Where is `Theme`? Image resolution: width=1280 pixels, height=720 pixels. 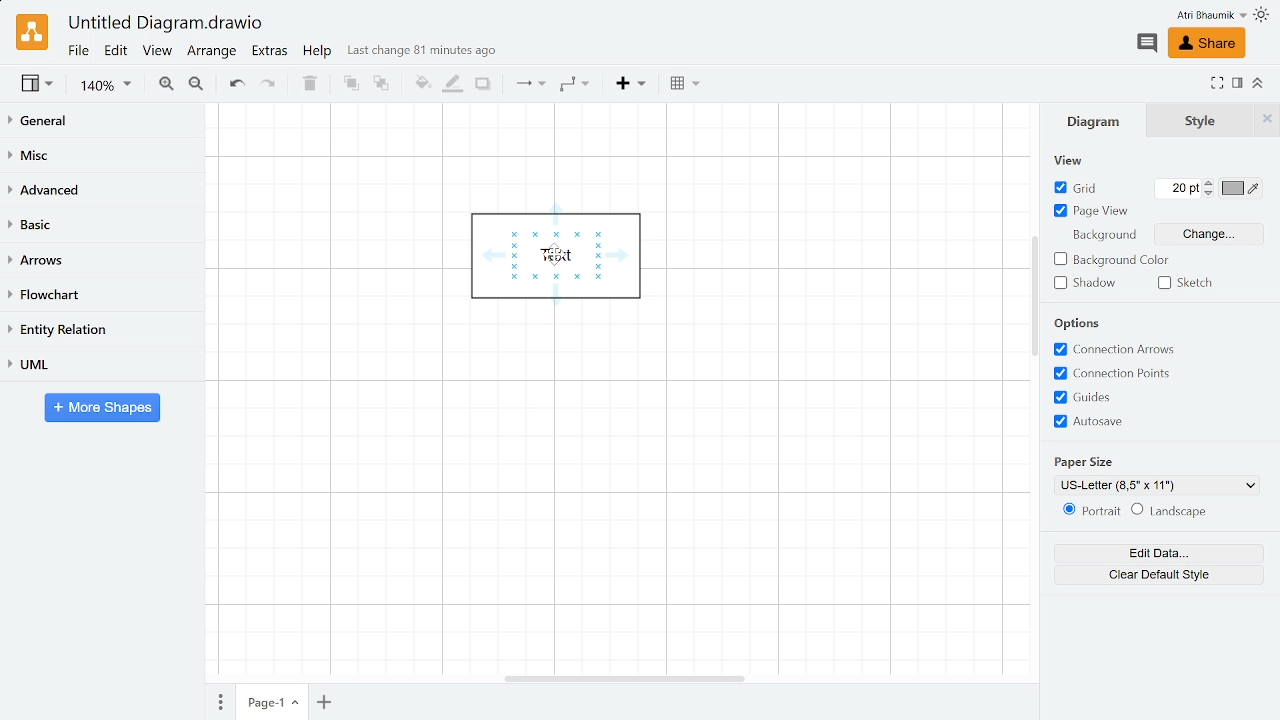 Theme is located at coordinates (1264, 15).